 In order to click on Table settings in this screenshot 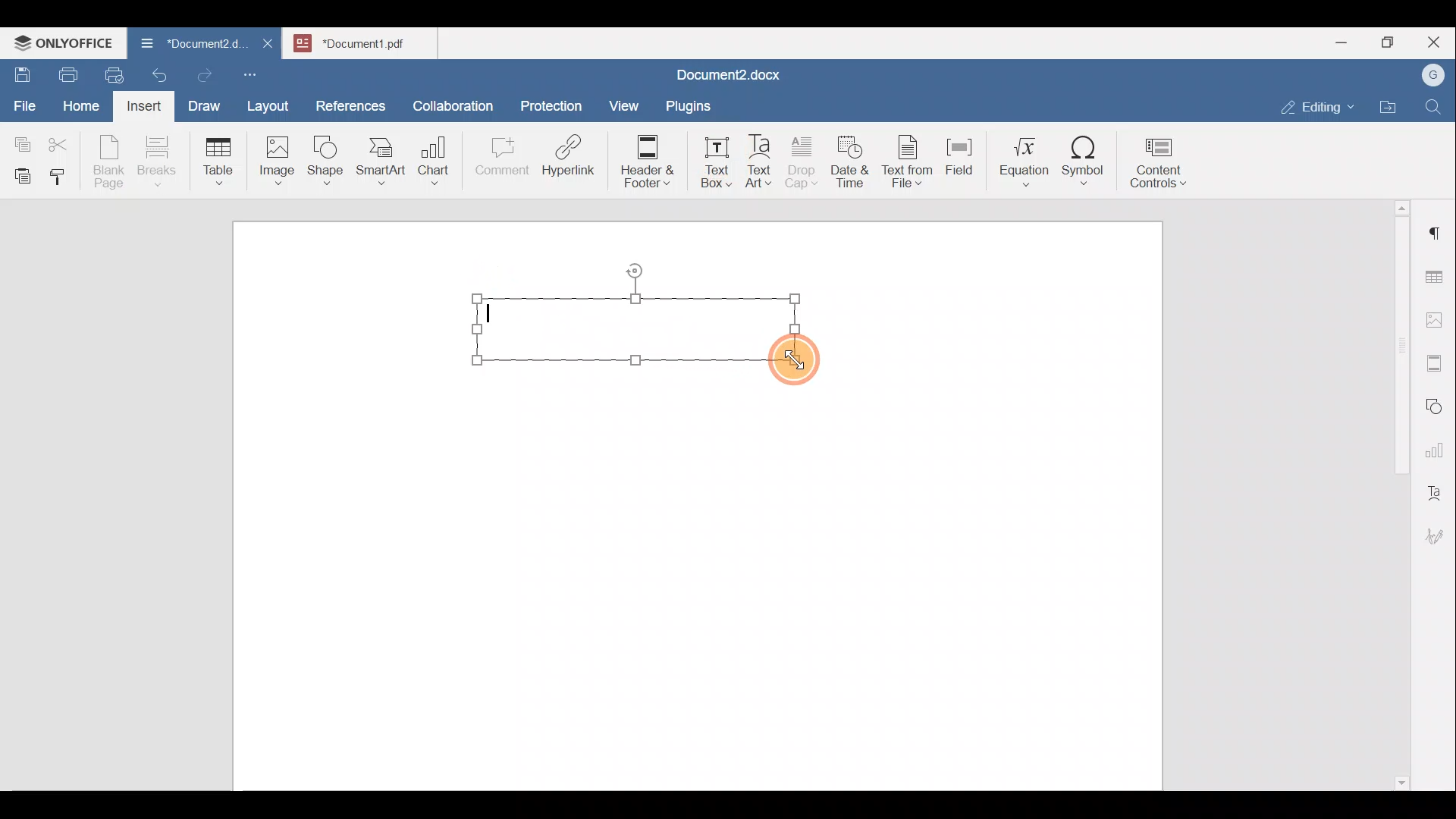, I will do `click(1437, 275)`.